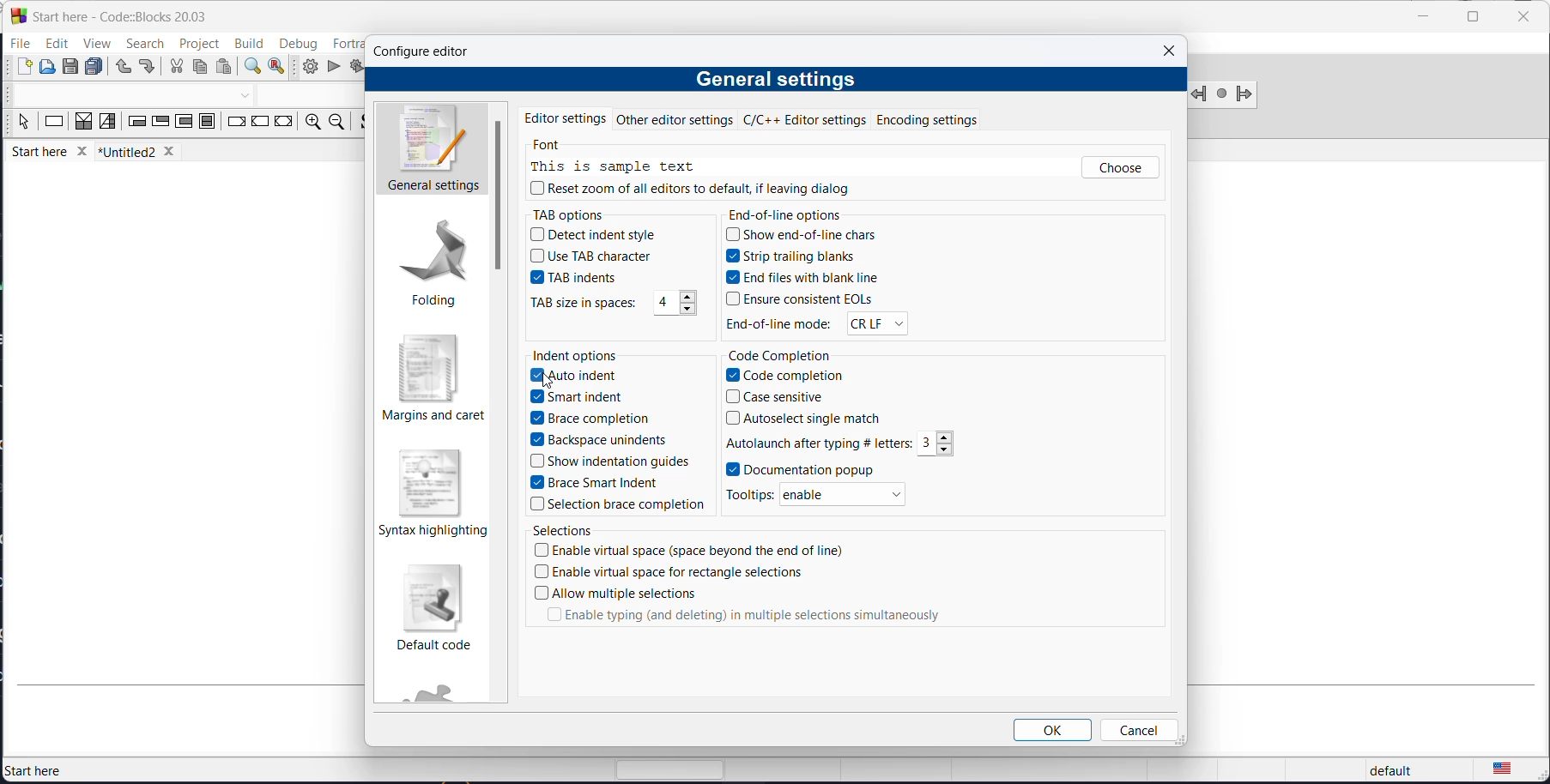 The image size is (1550, 784). Describe the element at coordinates (590, 257) in the screenshot. I see `use TAB character checkbox` at that location.